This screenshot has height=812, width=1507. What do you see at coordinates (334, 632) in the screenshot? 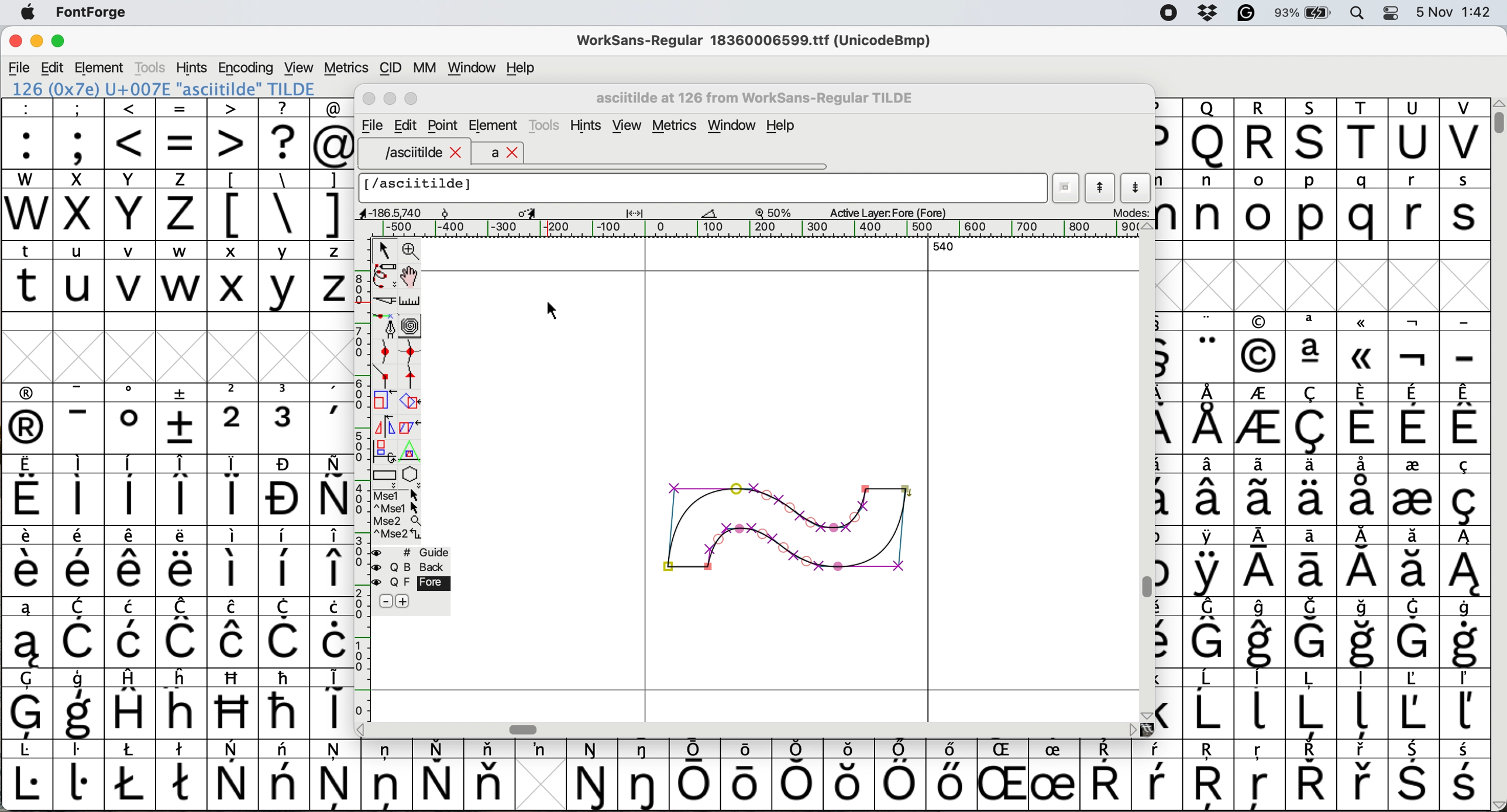
I see `symbol` at bounding box center [334, 632].